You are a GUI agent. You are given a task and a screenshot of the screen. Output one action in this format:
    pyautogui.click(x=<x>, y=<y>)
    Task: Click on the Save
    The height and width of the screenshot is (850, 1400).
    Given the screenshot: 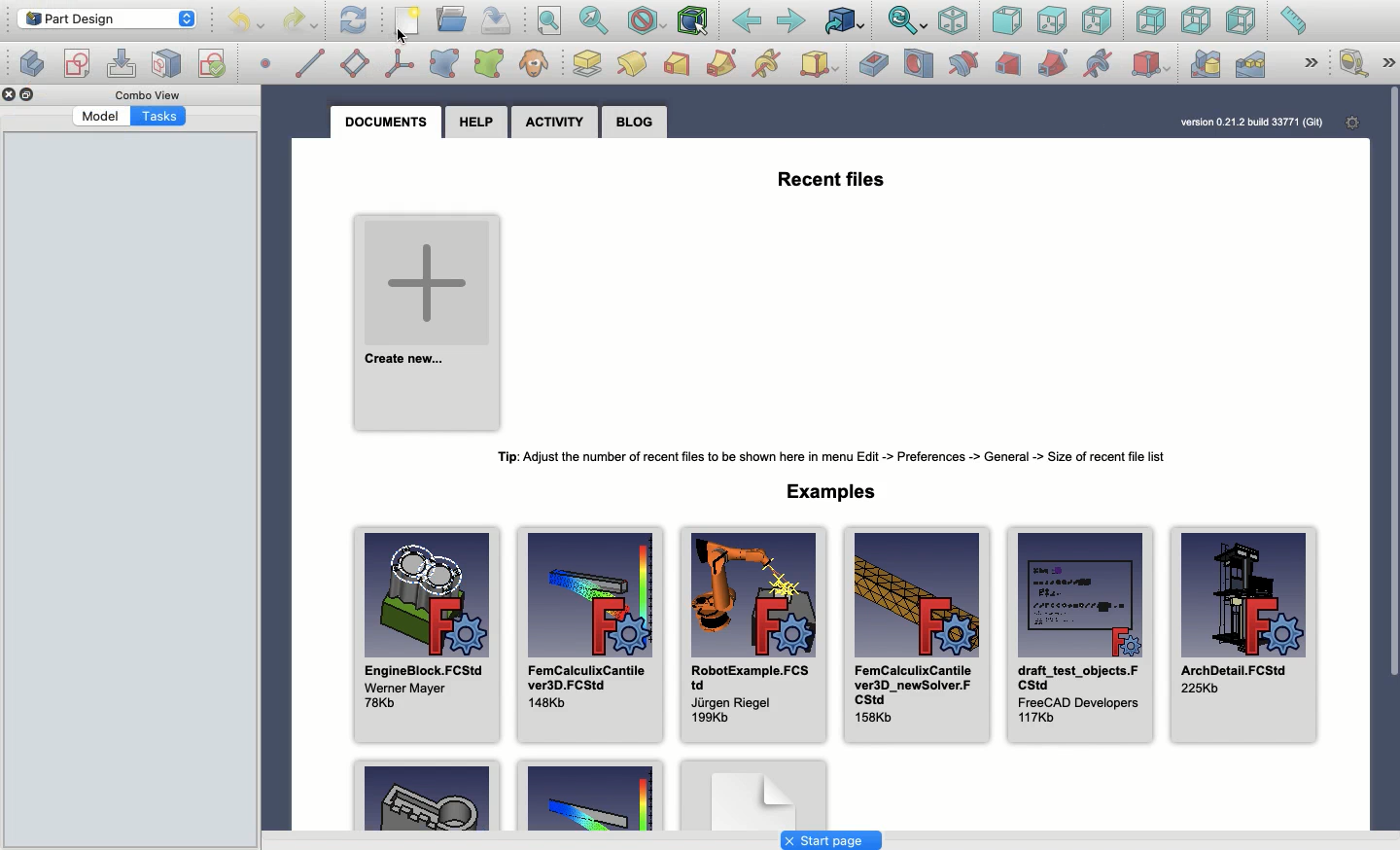 What is the action you would take?
    pyautogui.click(x=494, y=18)
    